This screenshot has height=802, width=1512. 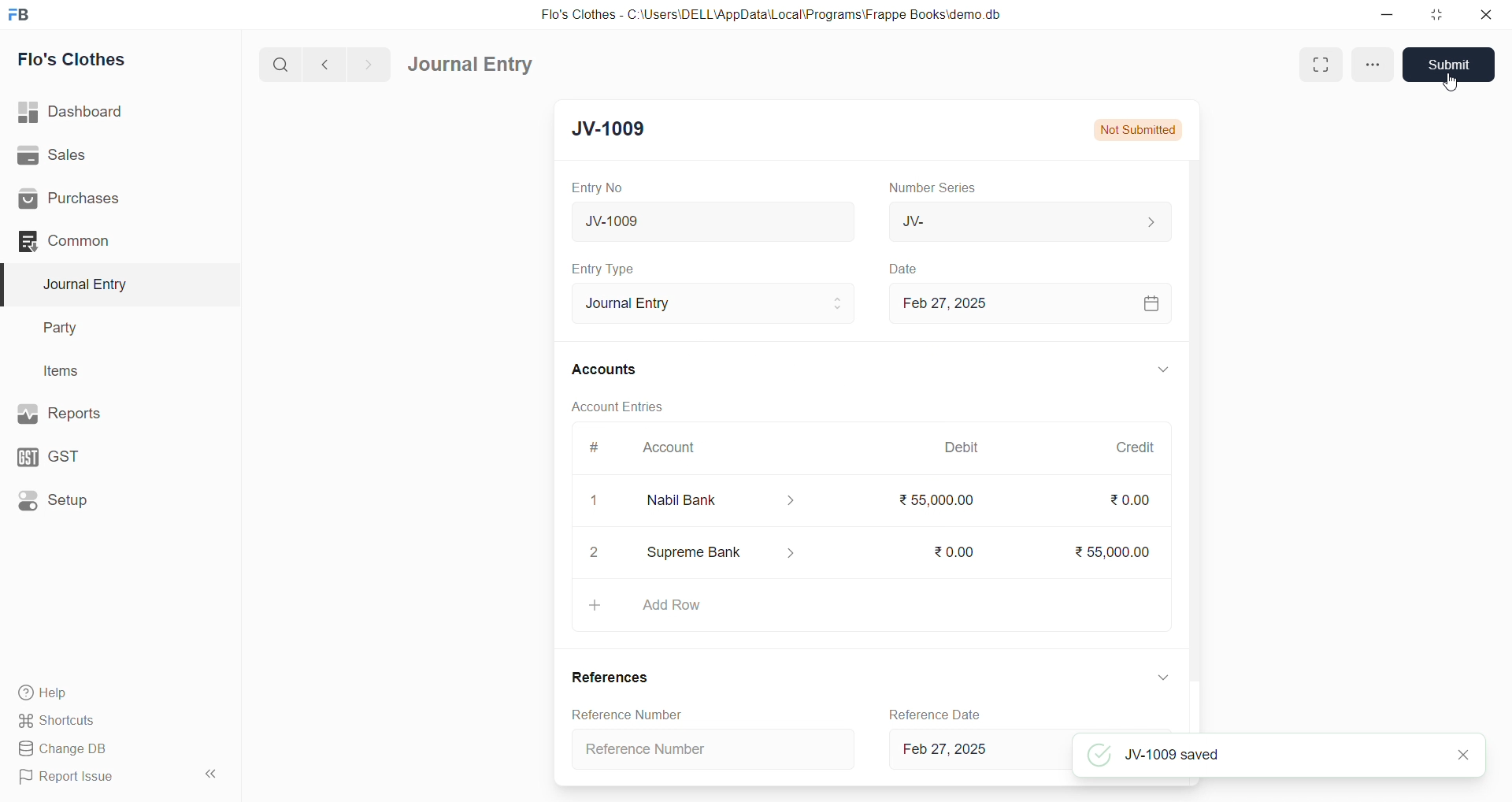 What do you see at coordinates (604, 269) in the screenshot?
I see `Entry Type` at bounding box center [604, 269].